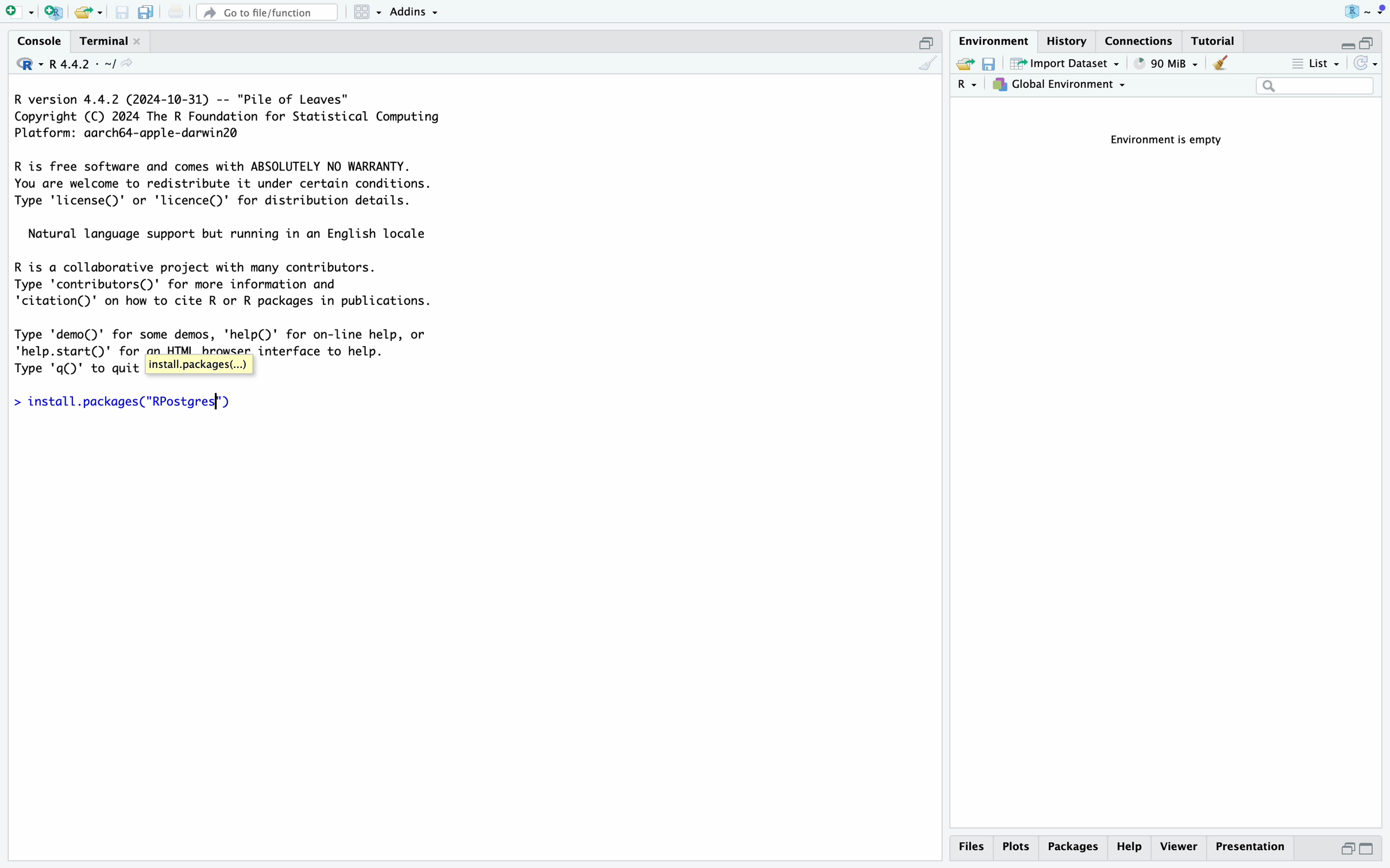  I want to click on save current document, so click(123, 12).